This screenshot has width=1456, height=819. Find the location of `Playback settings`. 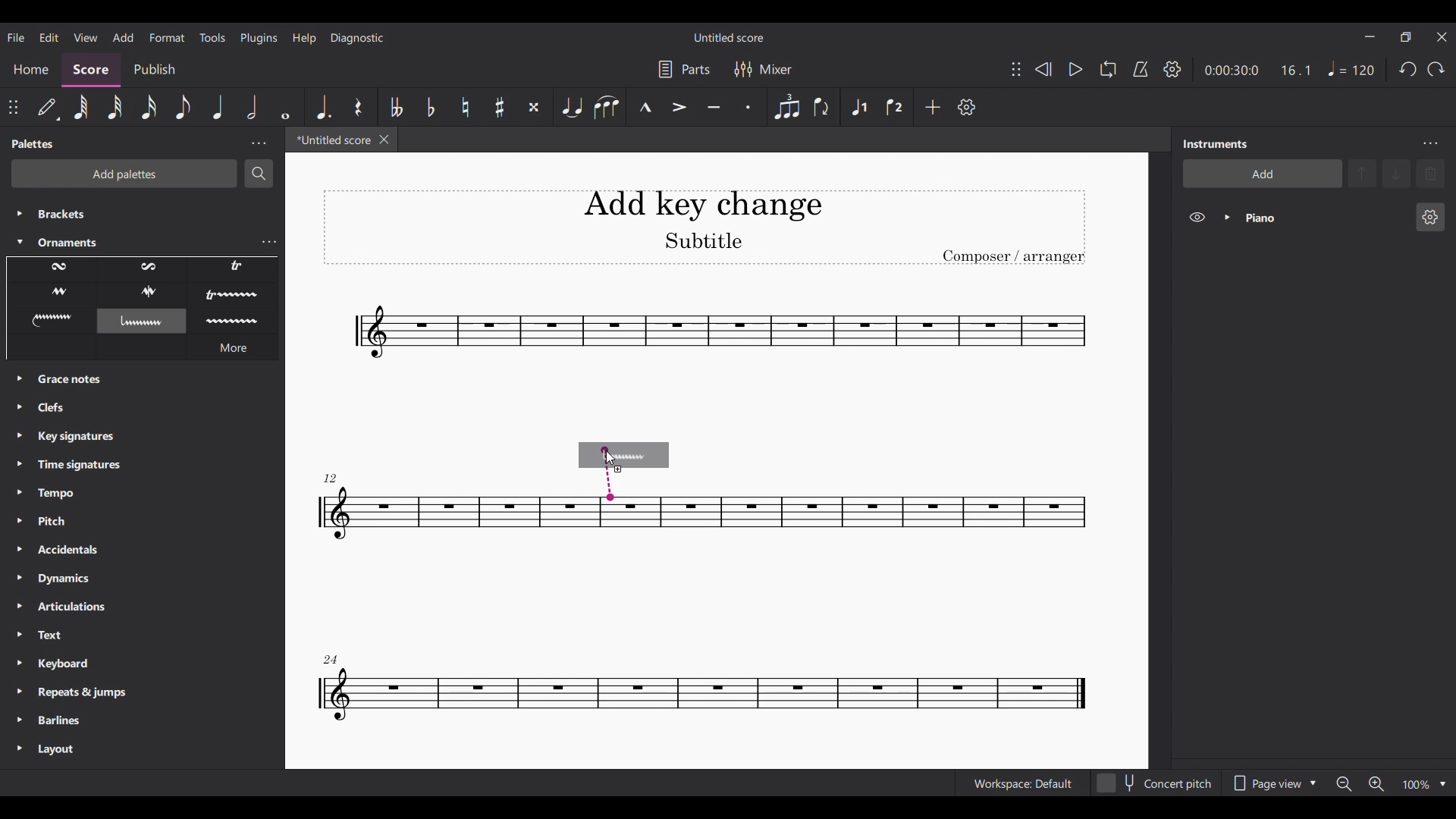

Playback settings is located at coordinates (1172, 70).